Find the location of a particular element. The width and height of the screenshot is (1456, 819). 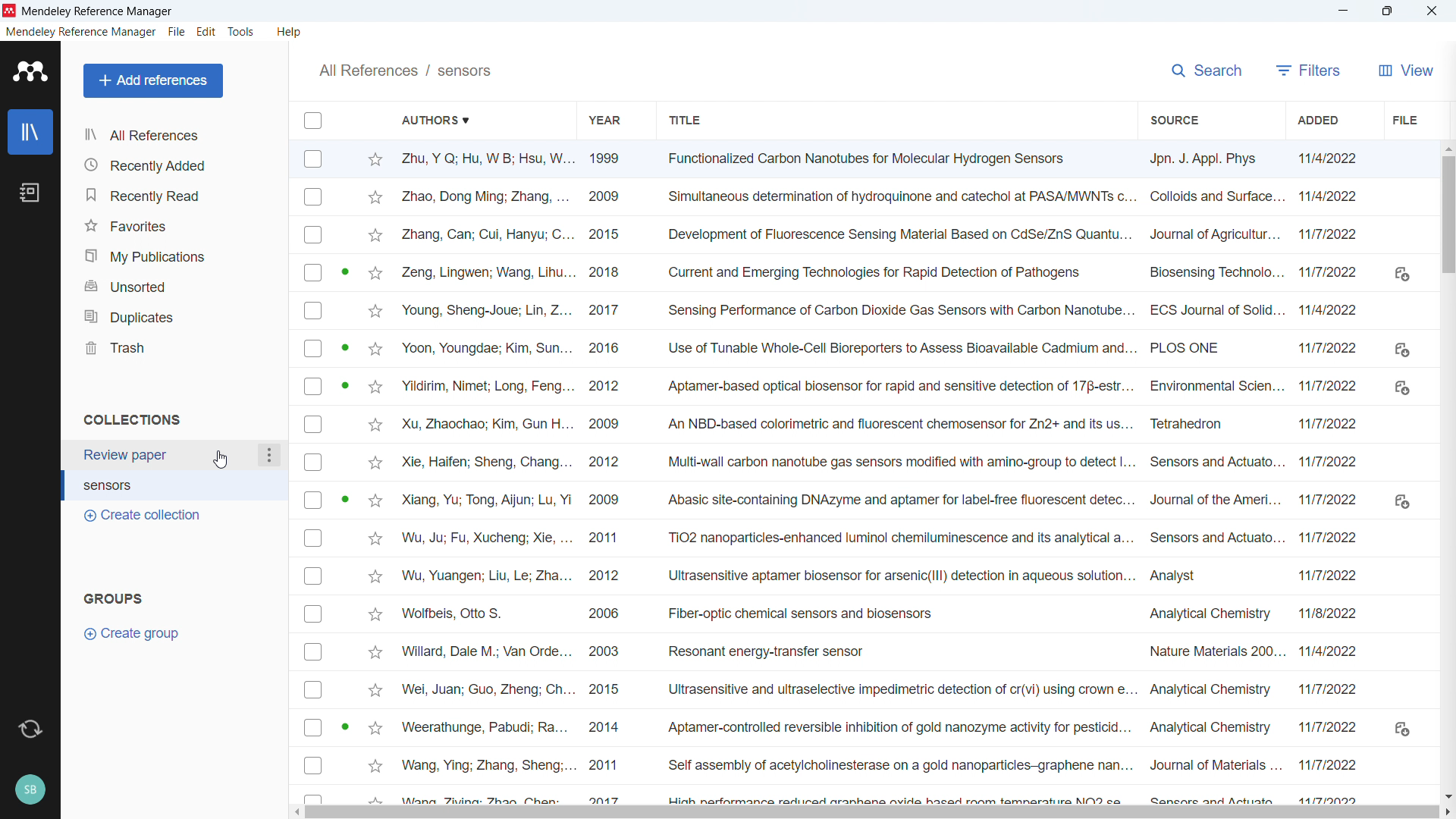

Sort by title  is located at coordinates (686, 120).